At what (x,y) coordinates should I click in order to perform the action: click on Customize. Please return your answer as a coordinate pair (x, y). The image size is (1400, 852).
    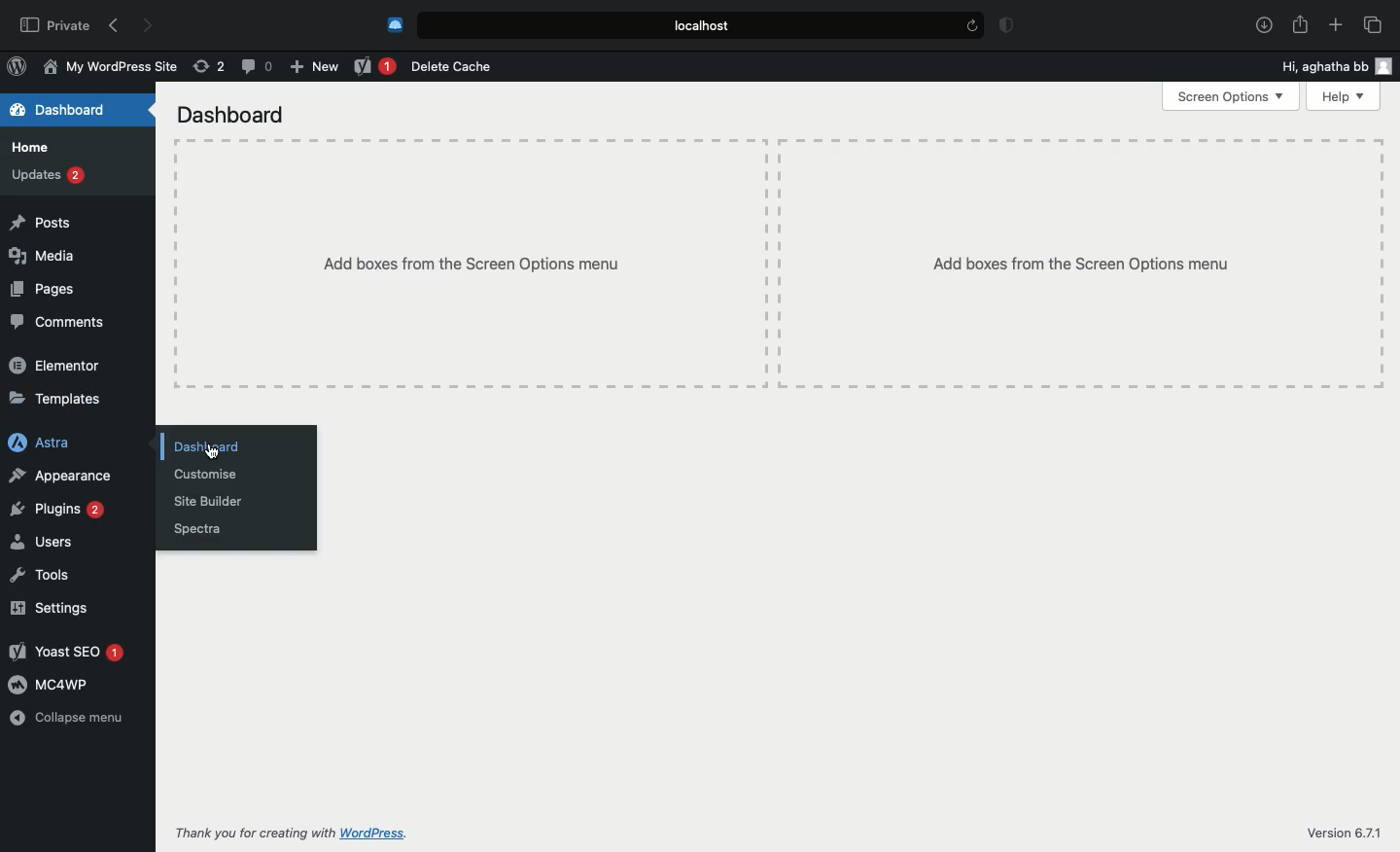
    Looking at the image, I should click on (204, 474).